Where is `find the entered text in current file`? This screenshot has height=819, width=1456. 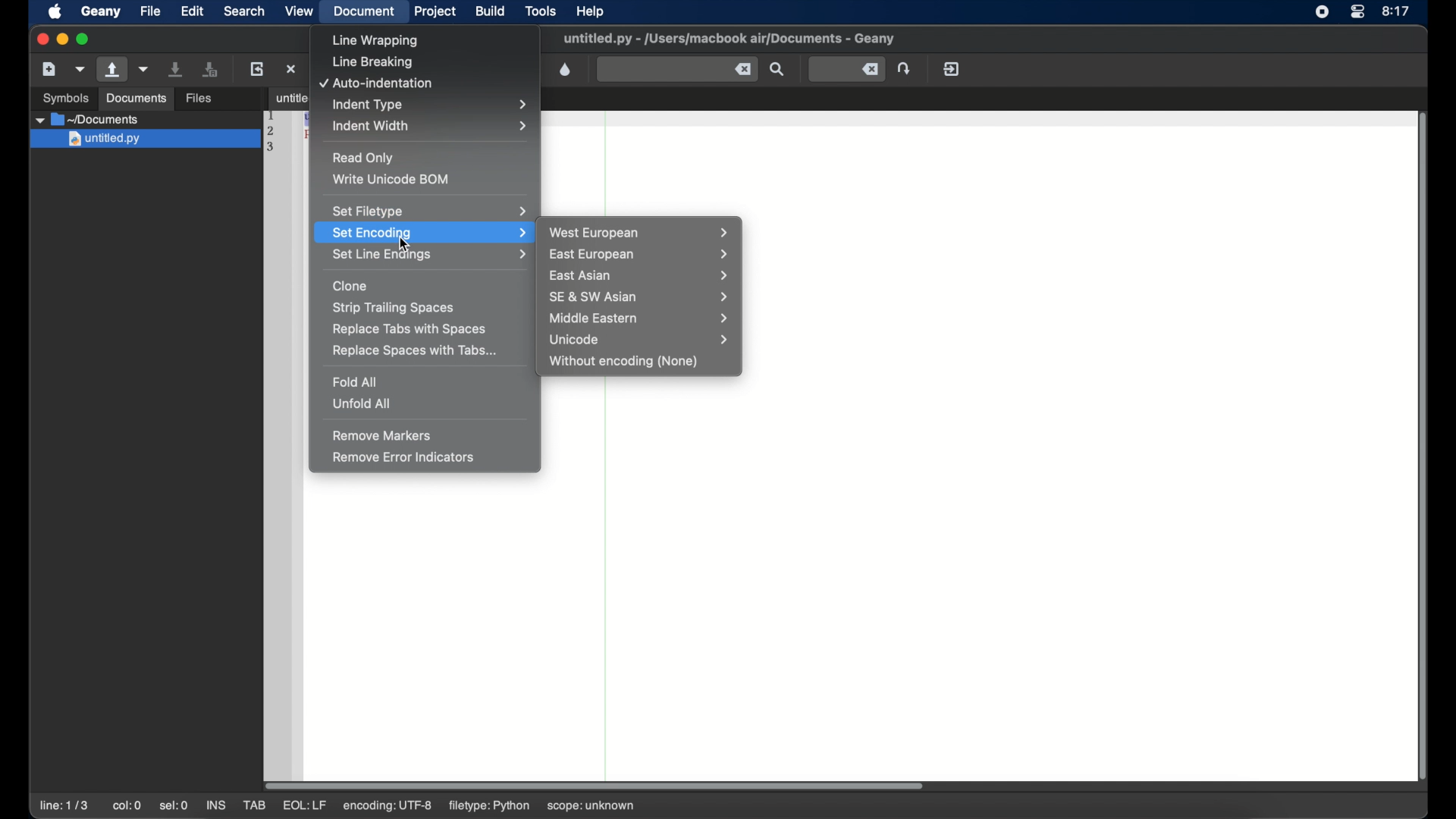
find the entered text in current file is located at coordinates (777, 69).